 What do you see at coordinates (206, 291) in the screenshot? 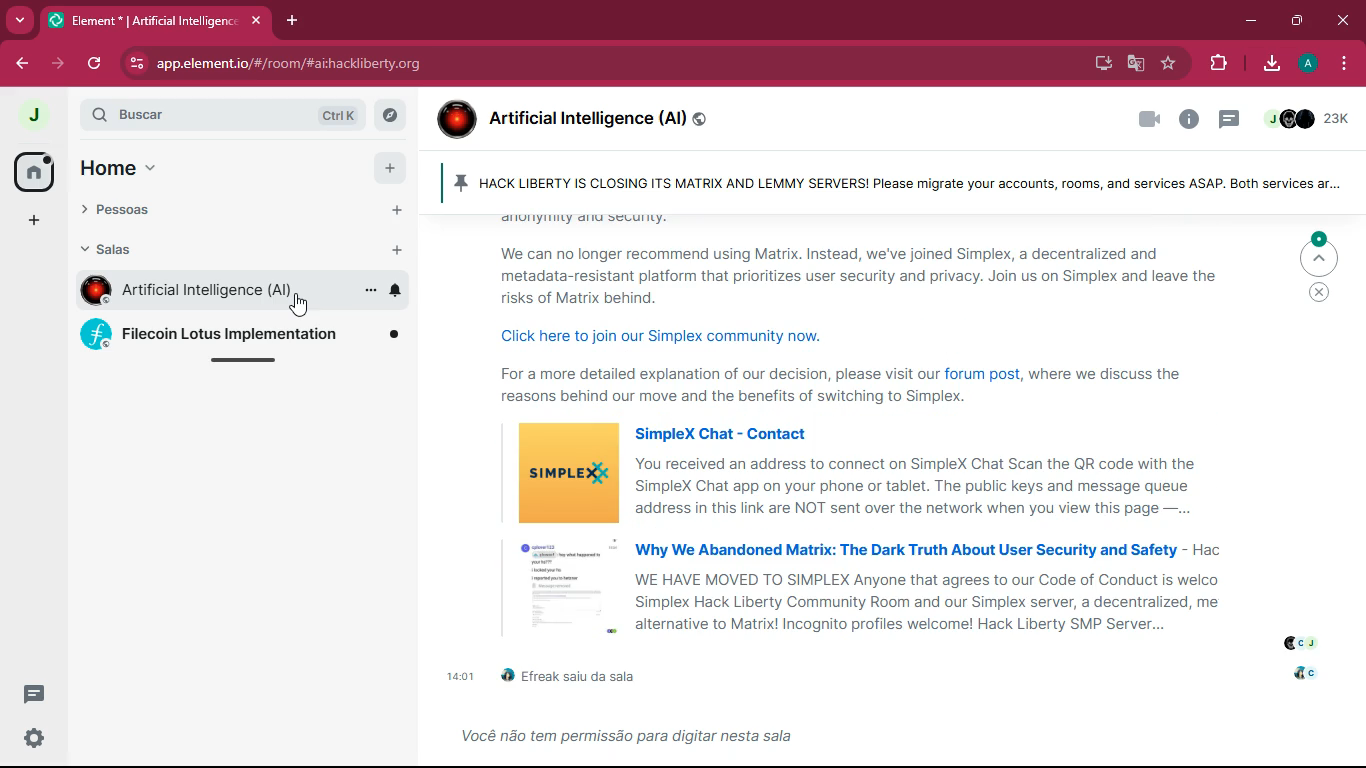
I see `Artificial intelligence (AI)` at bounding box center [206, 291].